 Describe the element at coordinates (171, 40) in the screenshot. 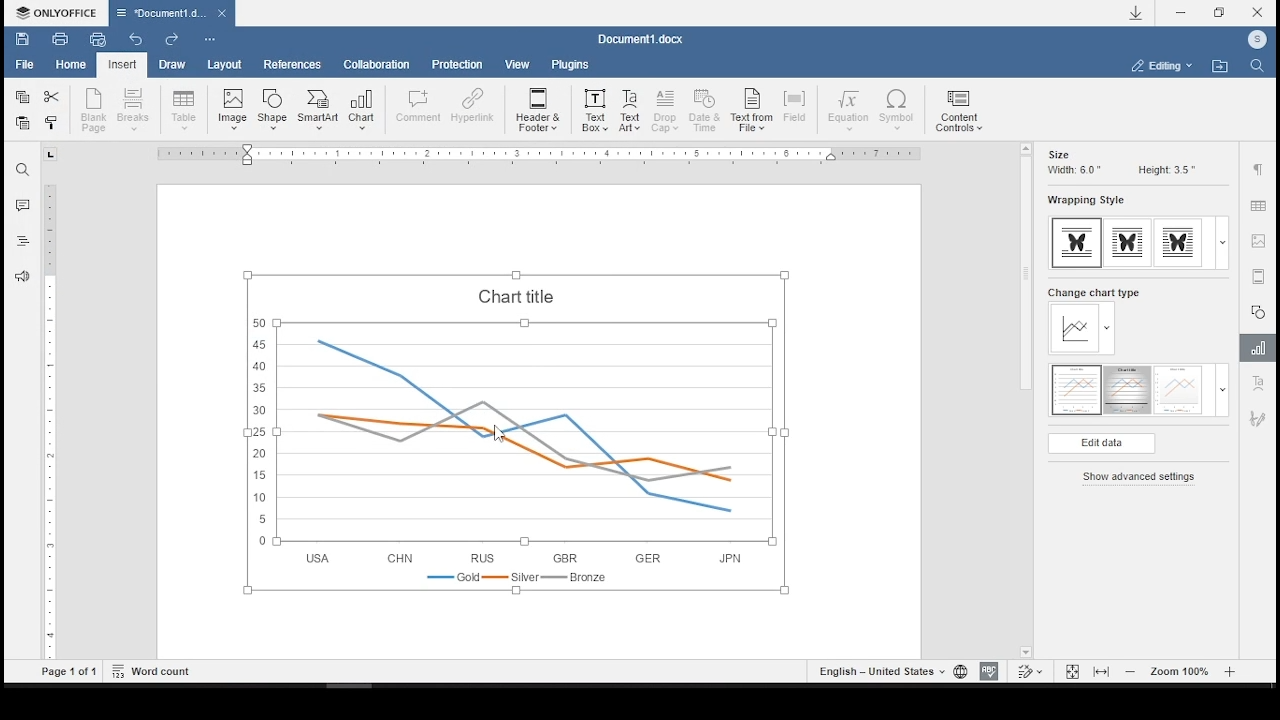

I see `redo` at that location.